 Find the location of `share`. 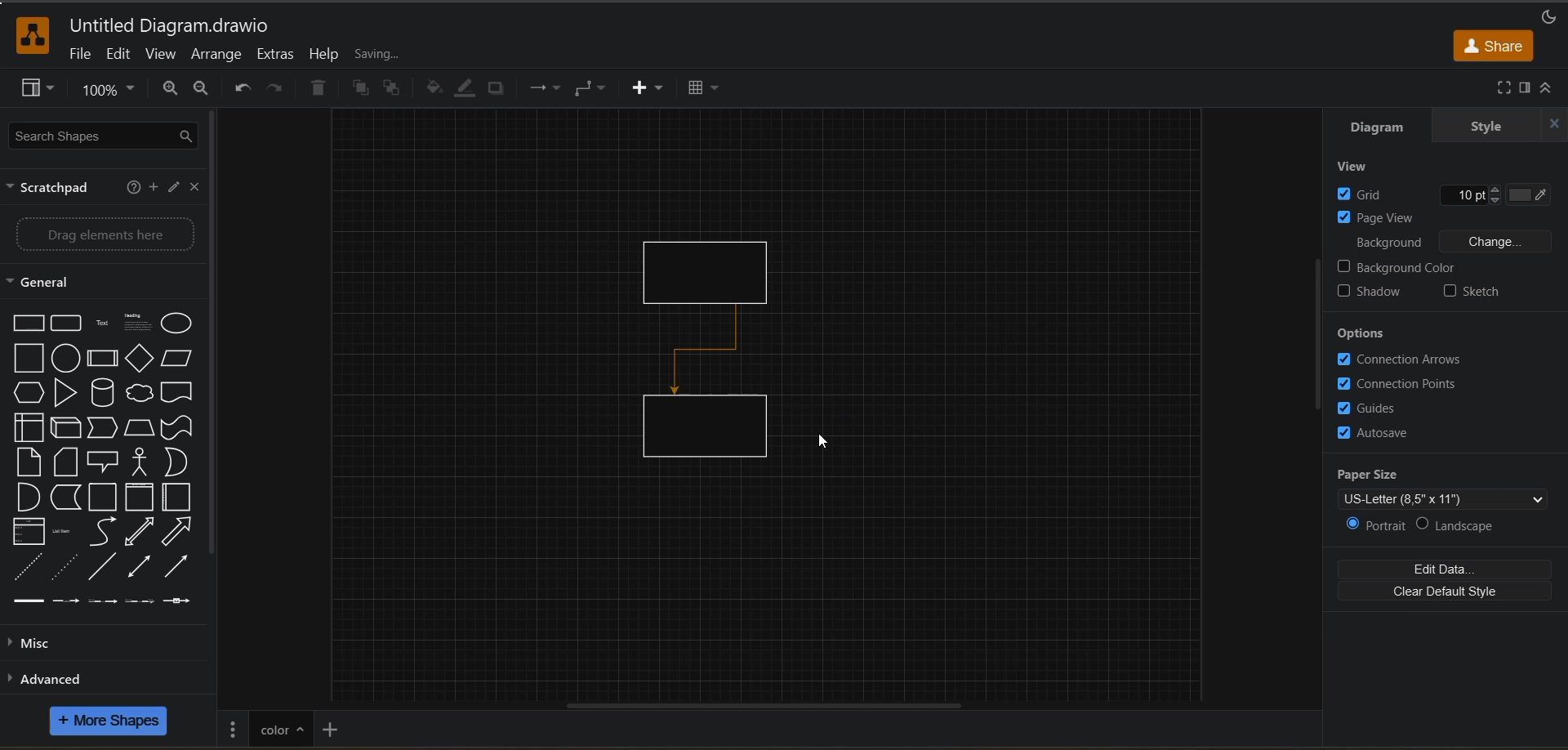

share is located at coordinates (1494, 45).